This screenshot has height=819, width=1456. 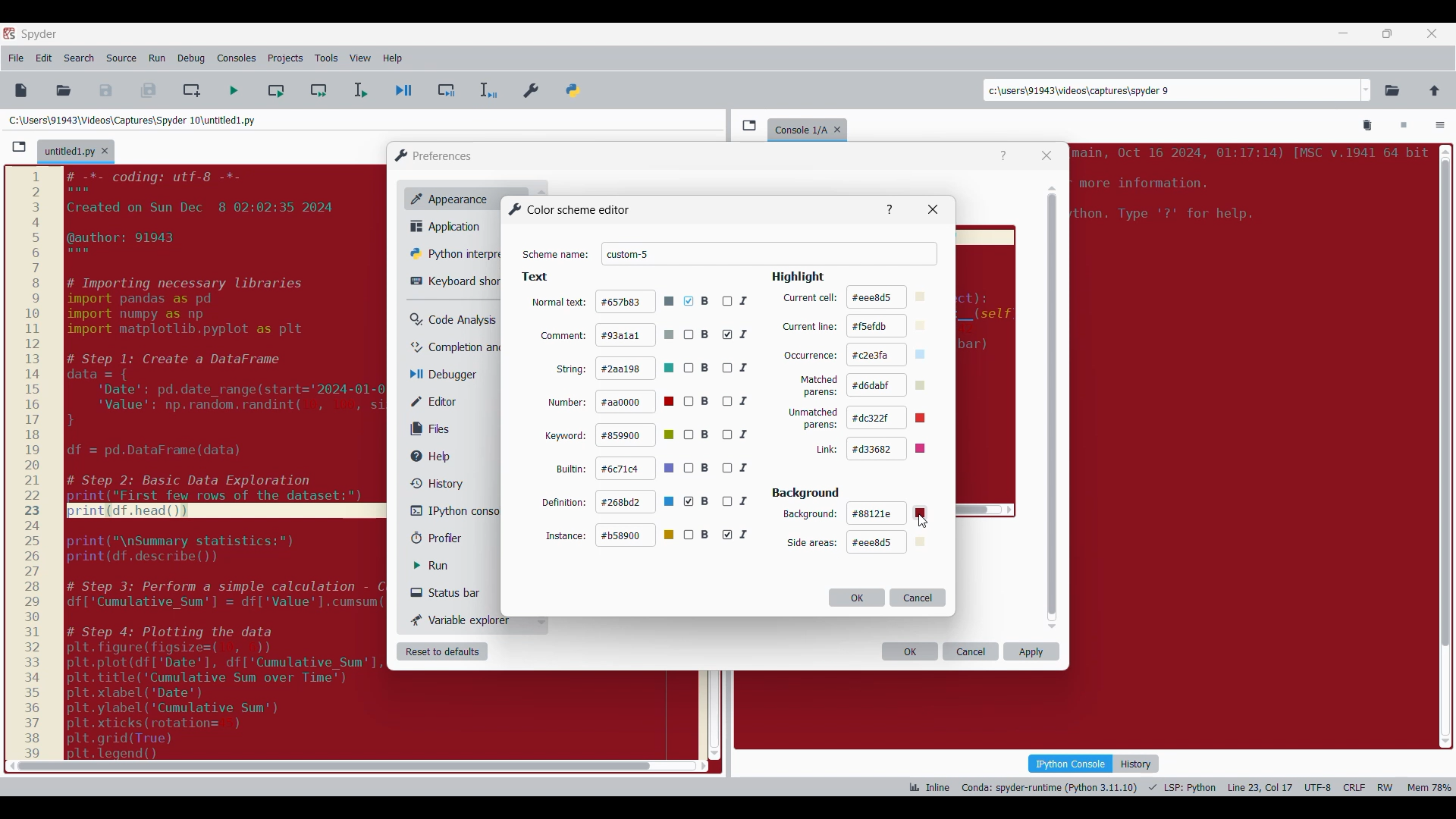 I want to click on Title of current window, so click(x=568, y=209).